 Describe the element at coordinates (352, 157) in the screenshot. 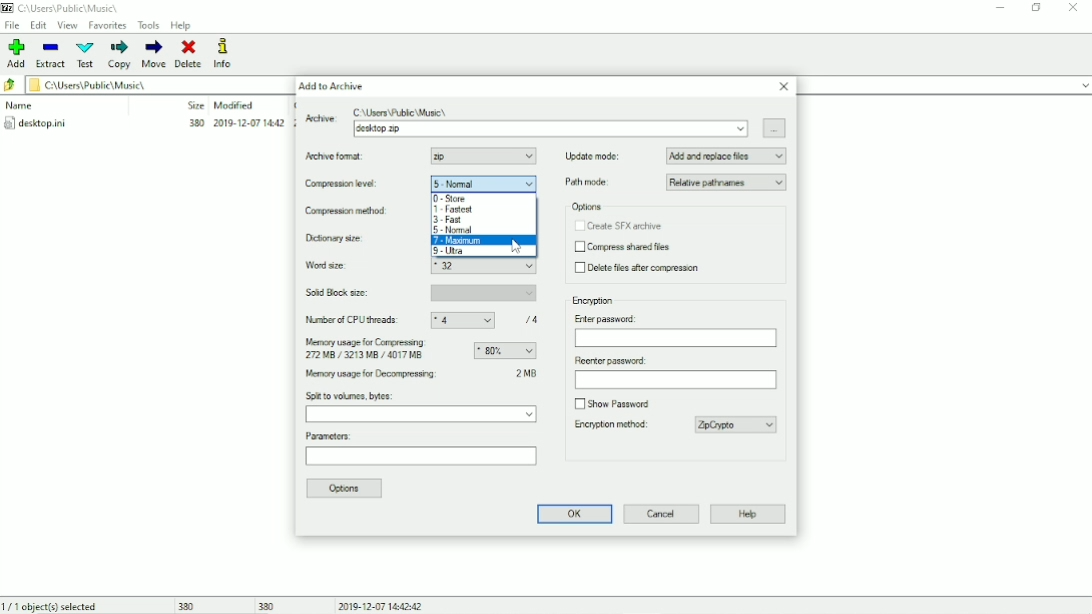

I see `Archive format` at that location.